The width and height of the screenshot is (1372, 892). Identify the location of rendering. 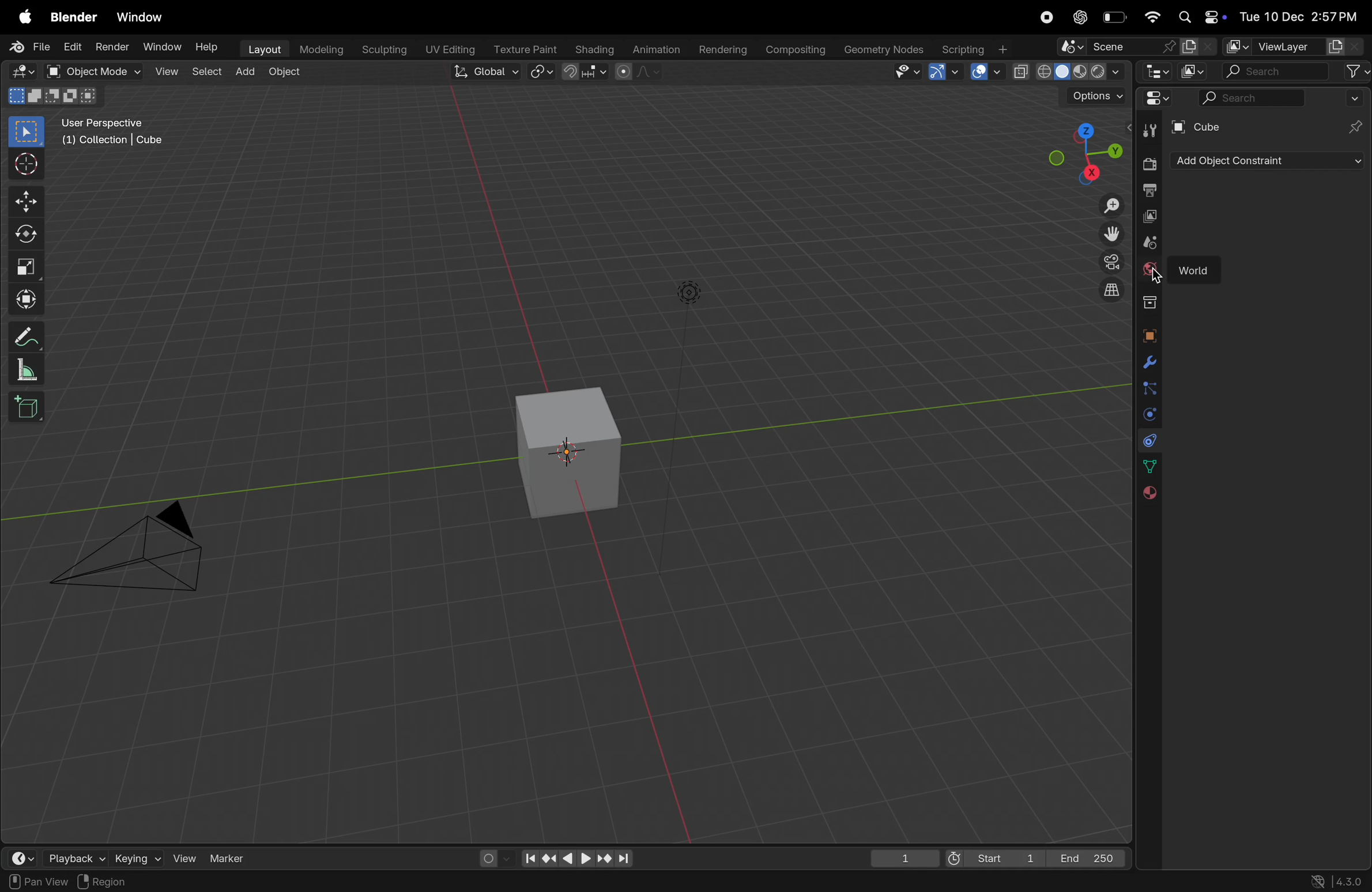
(721, 50).